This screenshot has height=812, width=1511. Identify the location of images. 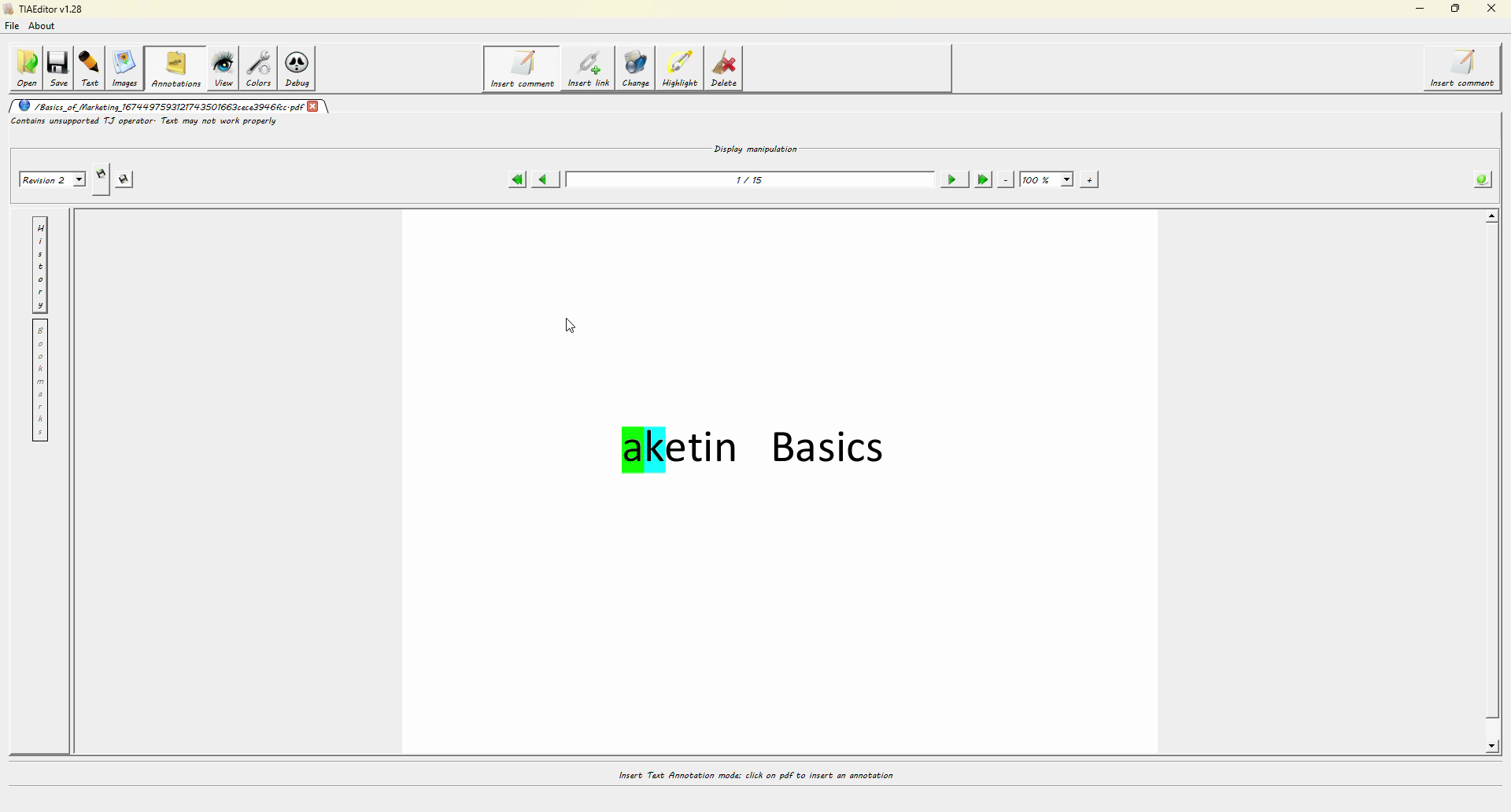
(127, 69).